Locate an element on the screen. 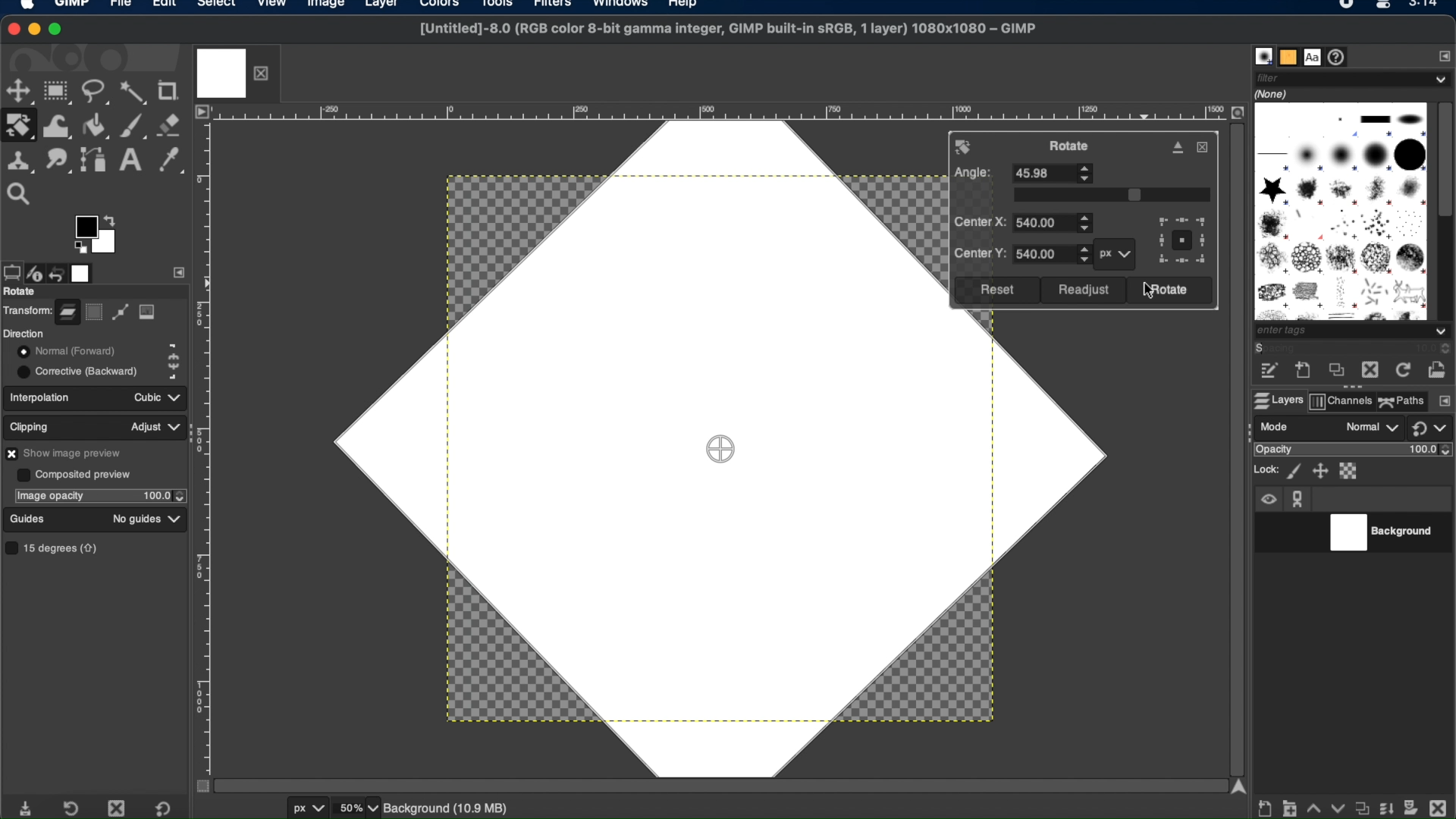  background is located at coordinates (1386, 533).